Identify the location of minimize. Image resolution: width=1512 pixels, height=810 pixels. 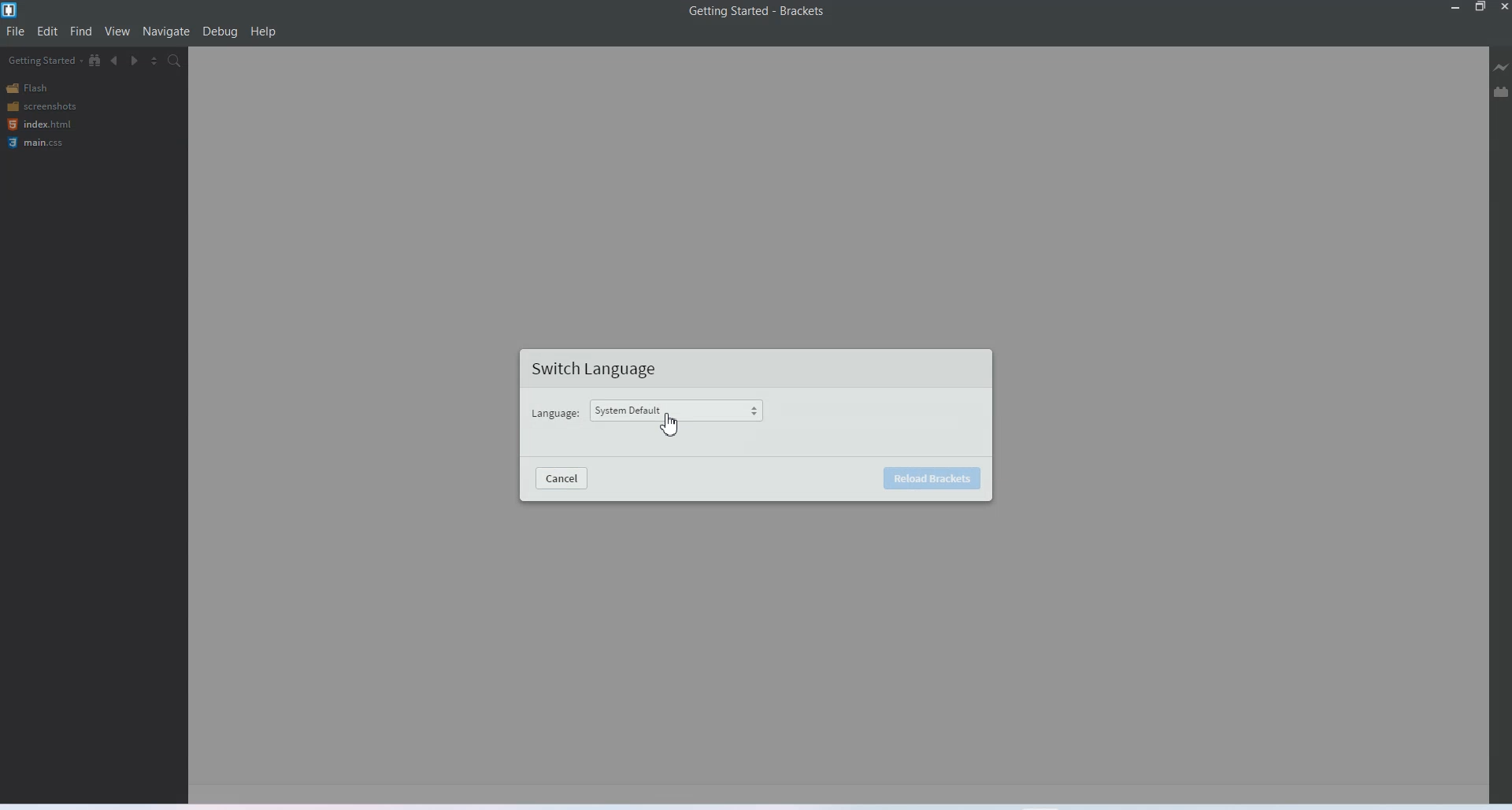
(1454, 8).